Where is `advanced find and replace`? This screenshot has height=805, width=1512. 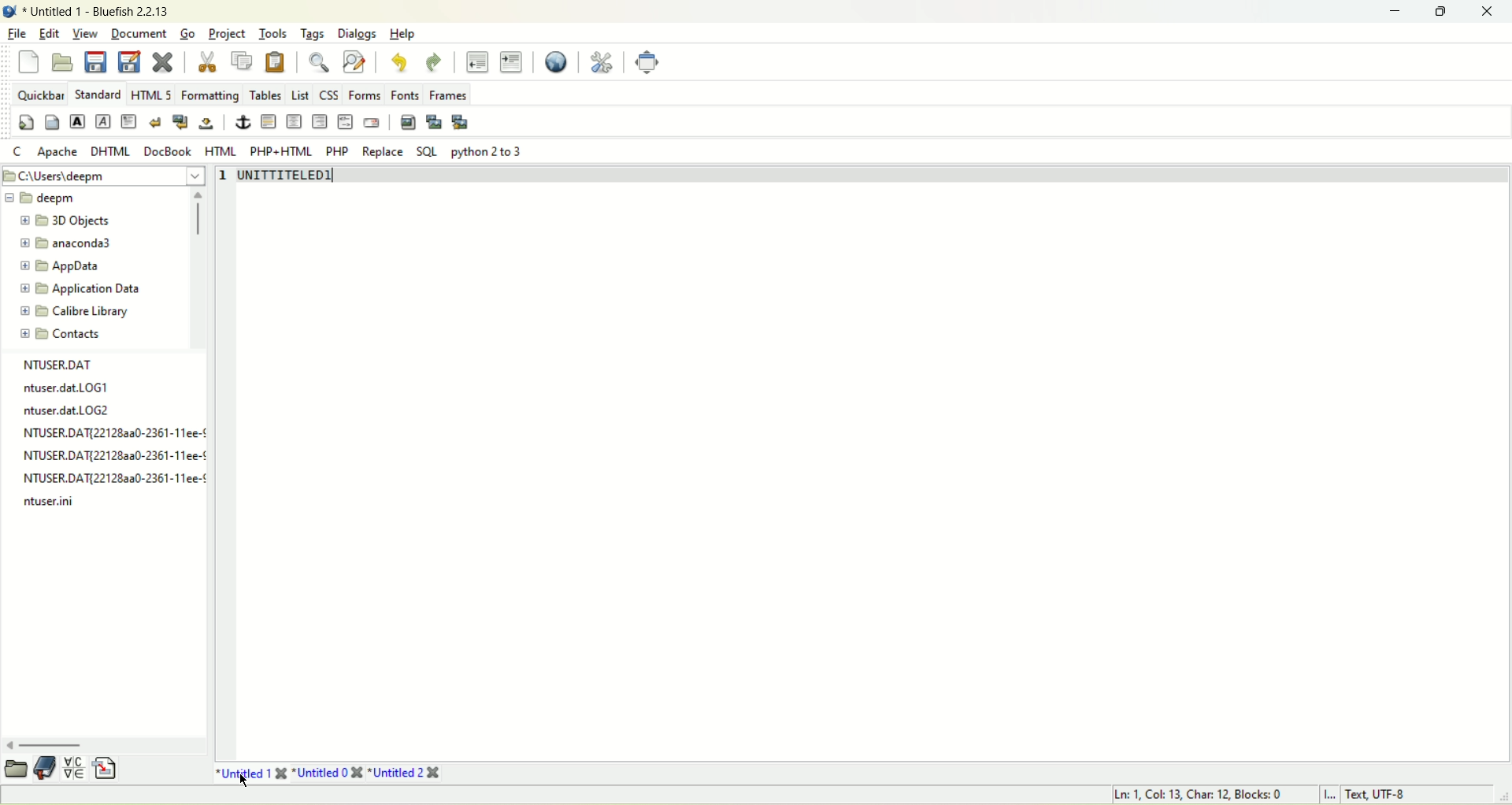 advanced find and replace is located at coordinates (358, 61).